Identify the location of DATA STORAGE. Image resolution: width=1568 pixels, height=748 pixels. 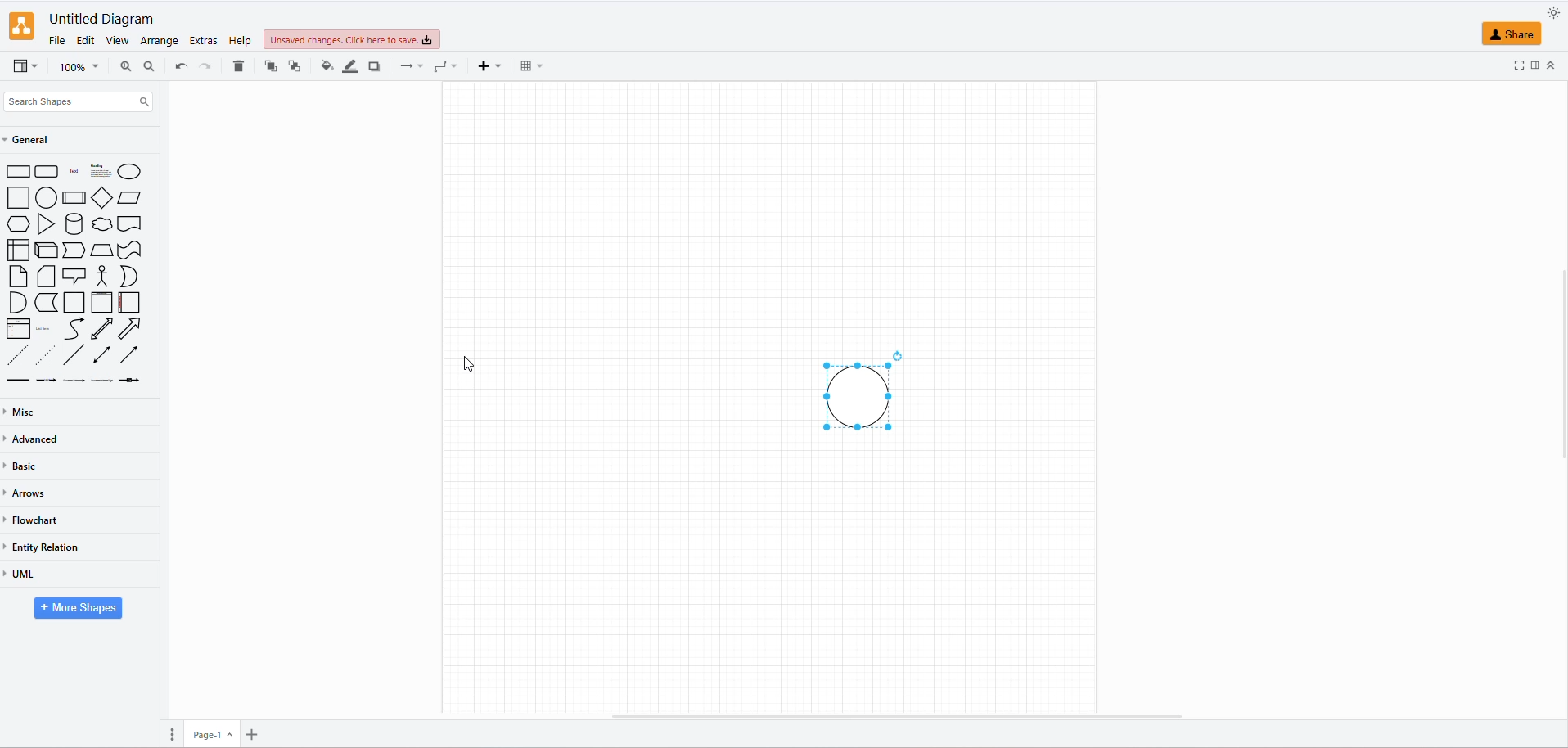
(47, 301).